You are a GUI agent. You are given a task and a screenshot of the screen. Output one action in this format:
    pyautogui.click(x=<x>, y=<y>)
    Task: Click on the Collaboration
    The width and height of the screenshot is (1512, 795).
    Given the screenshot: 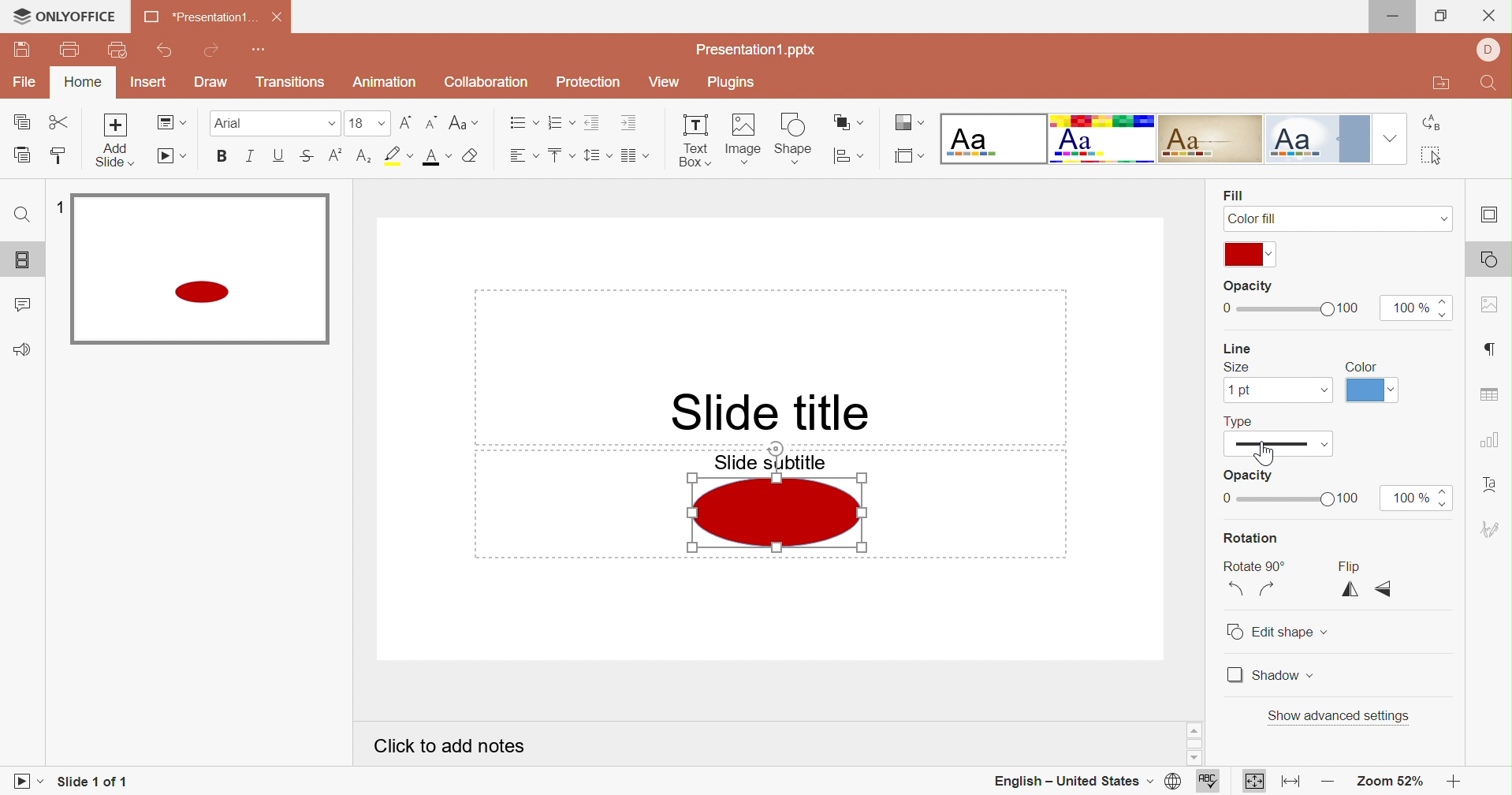 What is the action you would take?
    pyautogui.click(x=486, y=82)
    